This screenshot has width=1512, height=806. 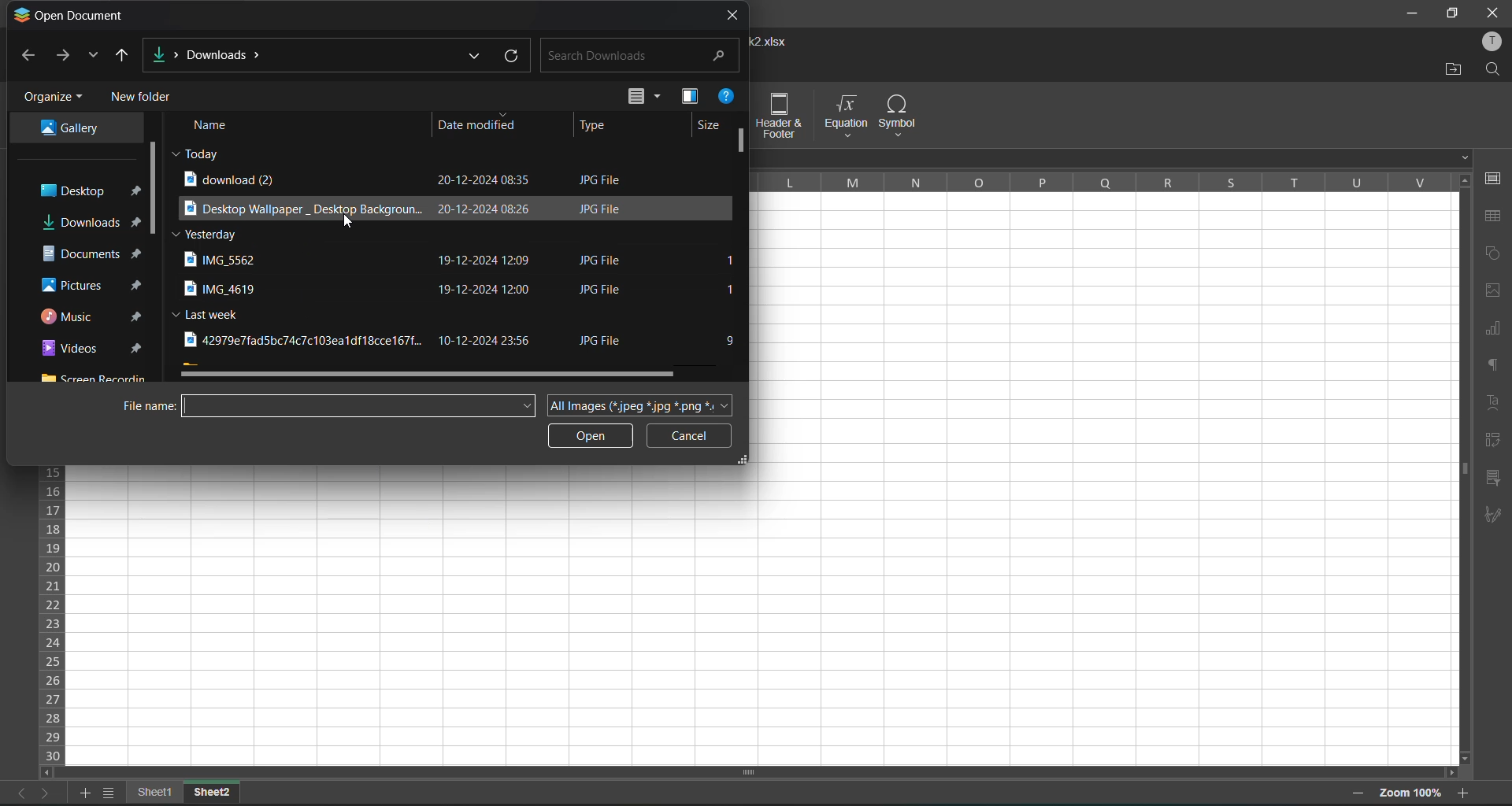 What do you see at coordinates (211, 313) in the screenshot?
I see `Last week` at bounding box center [211, 313].